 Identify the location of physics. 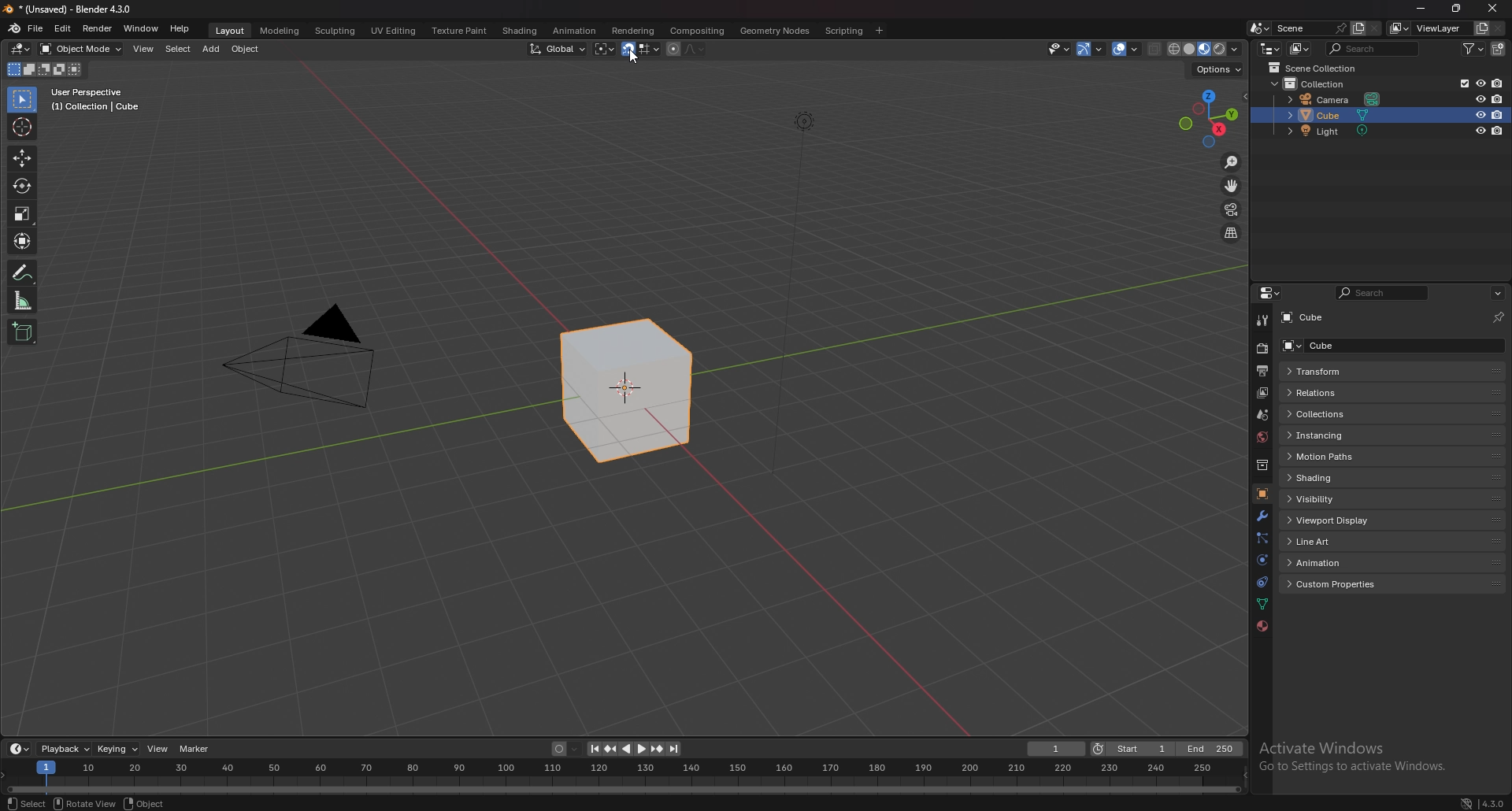
(1262, 560).